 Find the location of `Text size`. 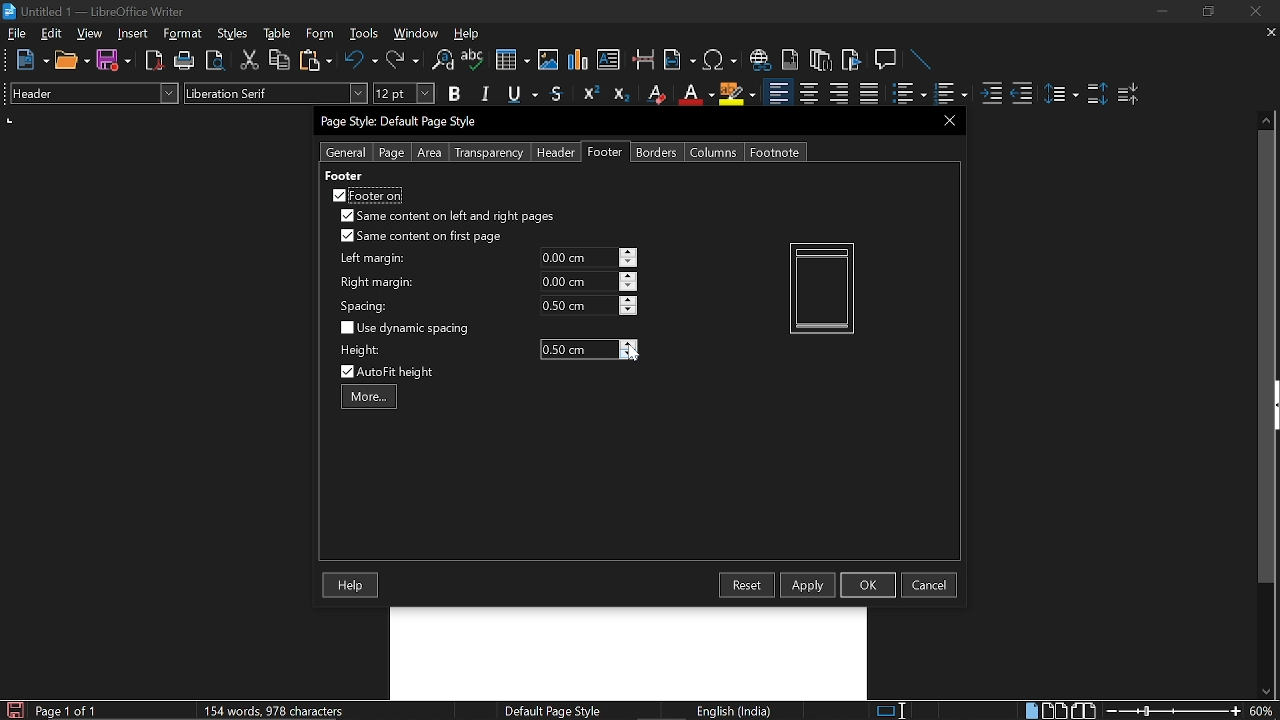

Text size is located at coordinates (403, 93).